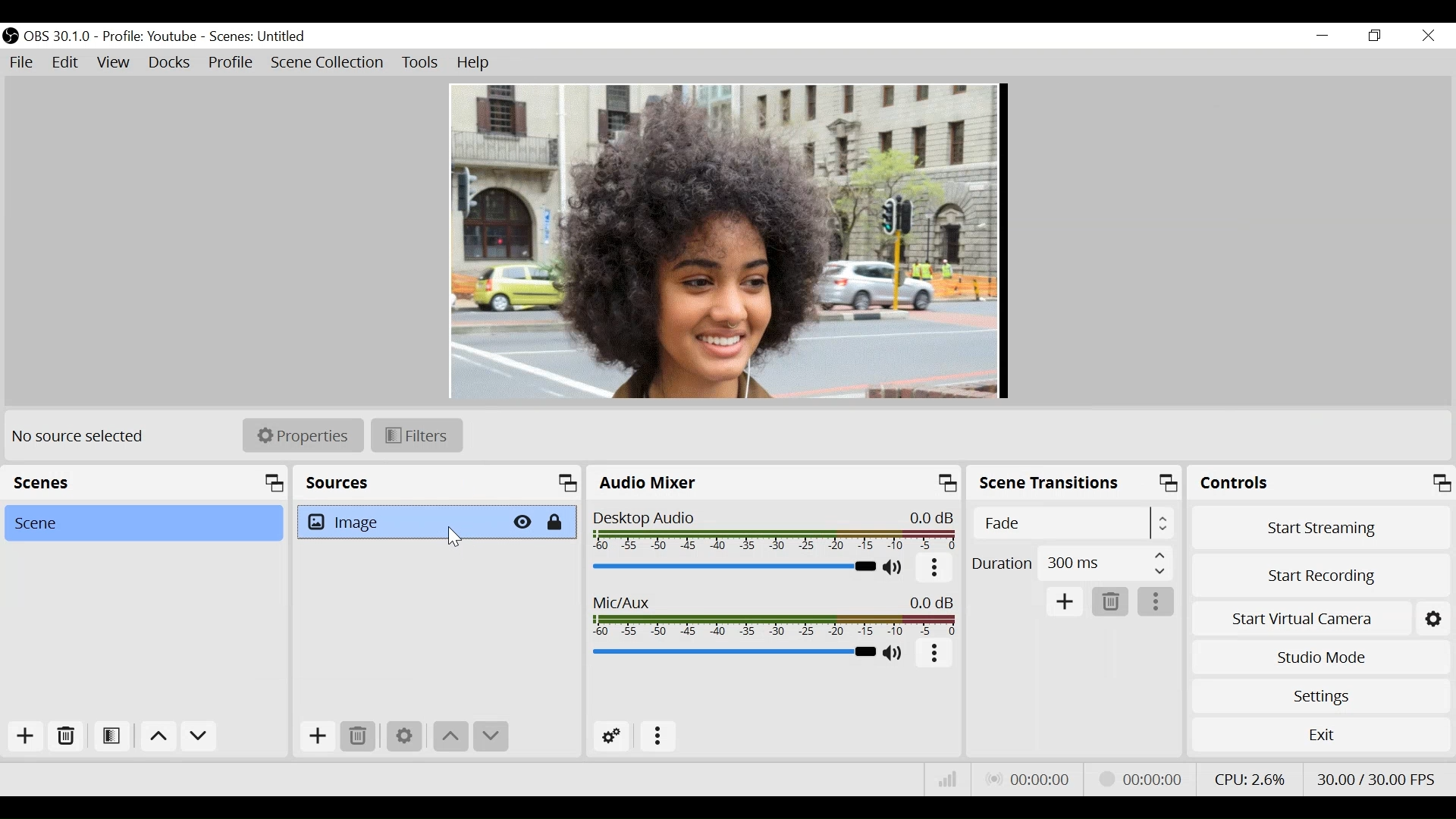 This screenshot has width=1456, height=819. What do you see at coordinates (80, 438) in the screenshot?
I see `No source Selected` at bounding box center [80, 438].